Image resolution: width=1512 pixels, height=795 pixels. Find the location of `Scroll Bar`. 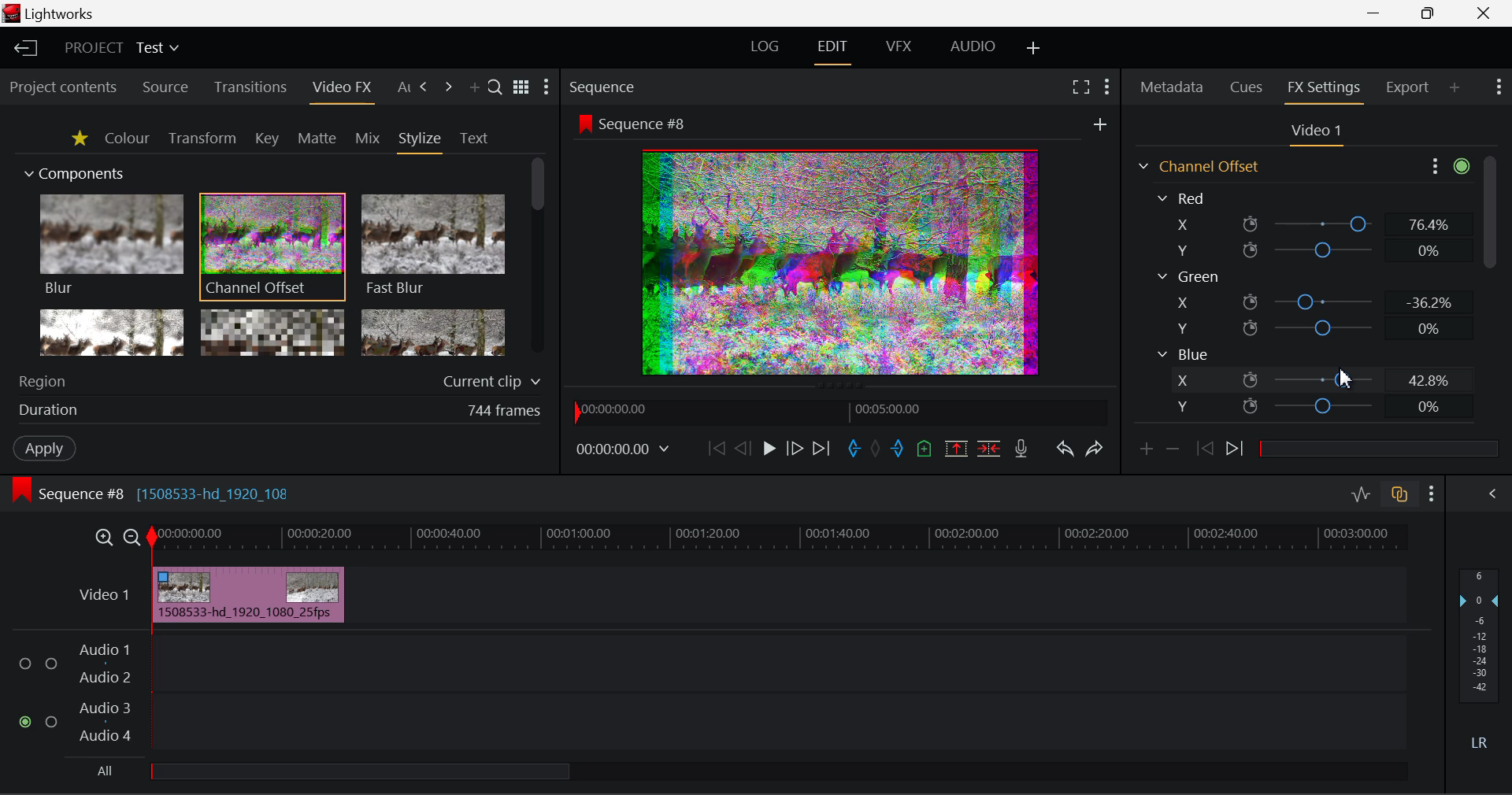

Scroll Bar is located at coordinates (1489, 294).